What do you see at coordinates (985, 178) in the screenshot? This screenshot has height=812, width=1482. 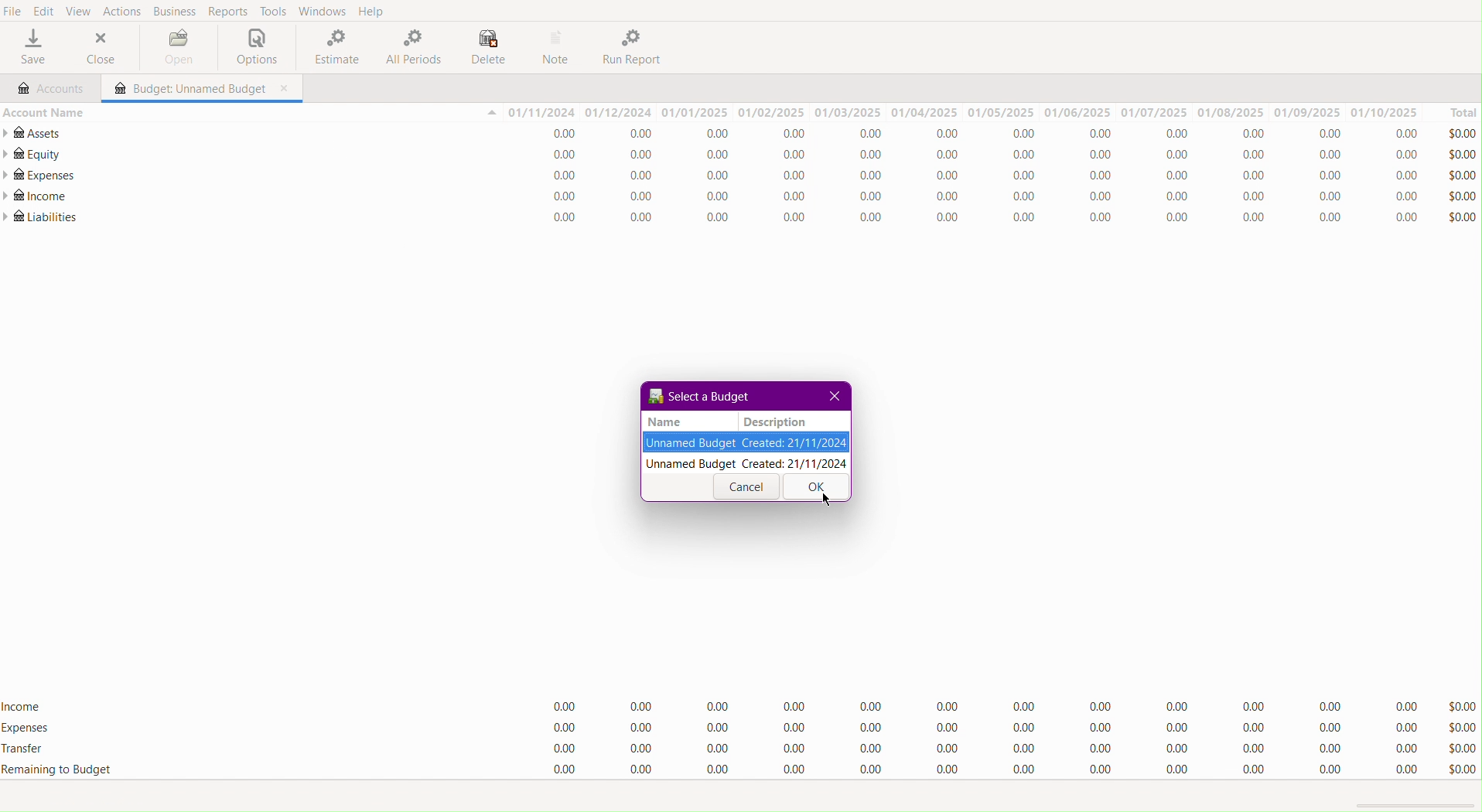 I see `Expenses Values` at bounding box center [985, 178].